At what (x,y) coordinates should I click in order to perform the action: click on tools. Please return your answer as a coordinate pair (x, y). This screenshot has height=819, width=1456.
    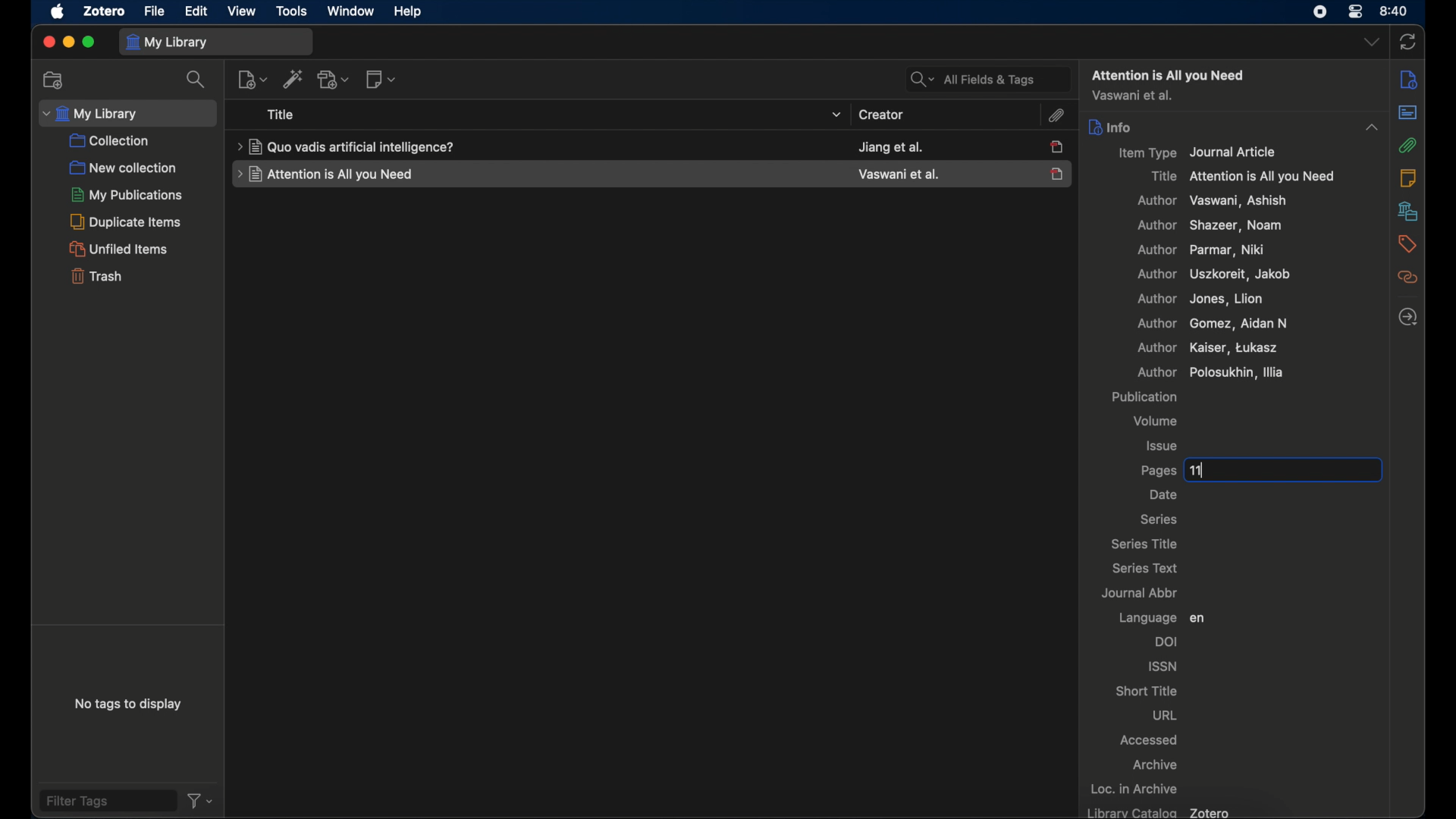
    Looking at the image, I should click on (292, 11).